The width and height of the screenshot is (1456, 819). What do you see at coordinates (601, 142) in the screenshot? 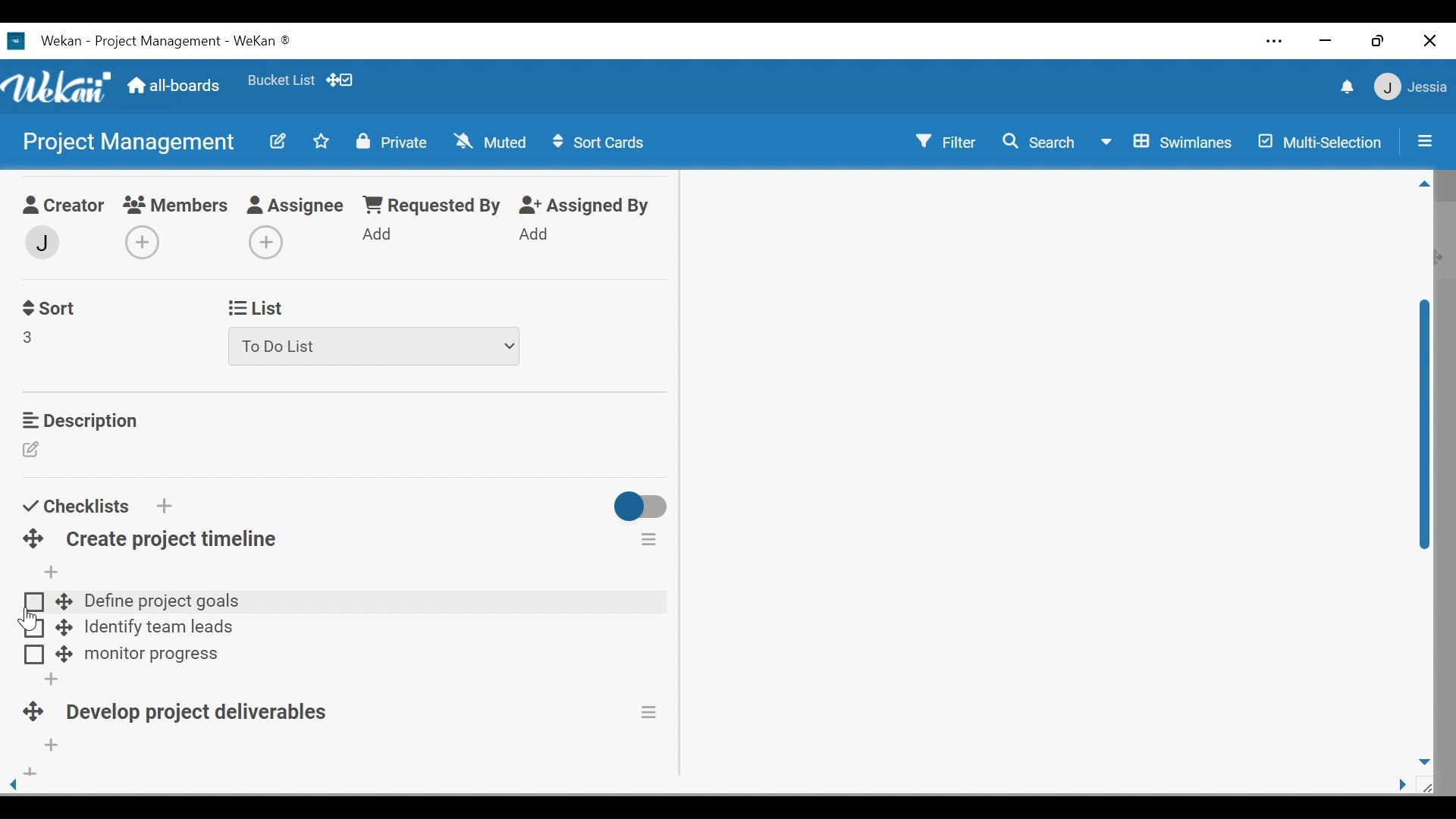
I see `Sort Cards` at bounding box center [601, 142].